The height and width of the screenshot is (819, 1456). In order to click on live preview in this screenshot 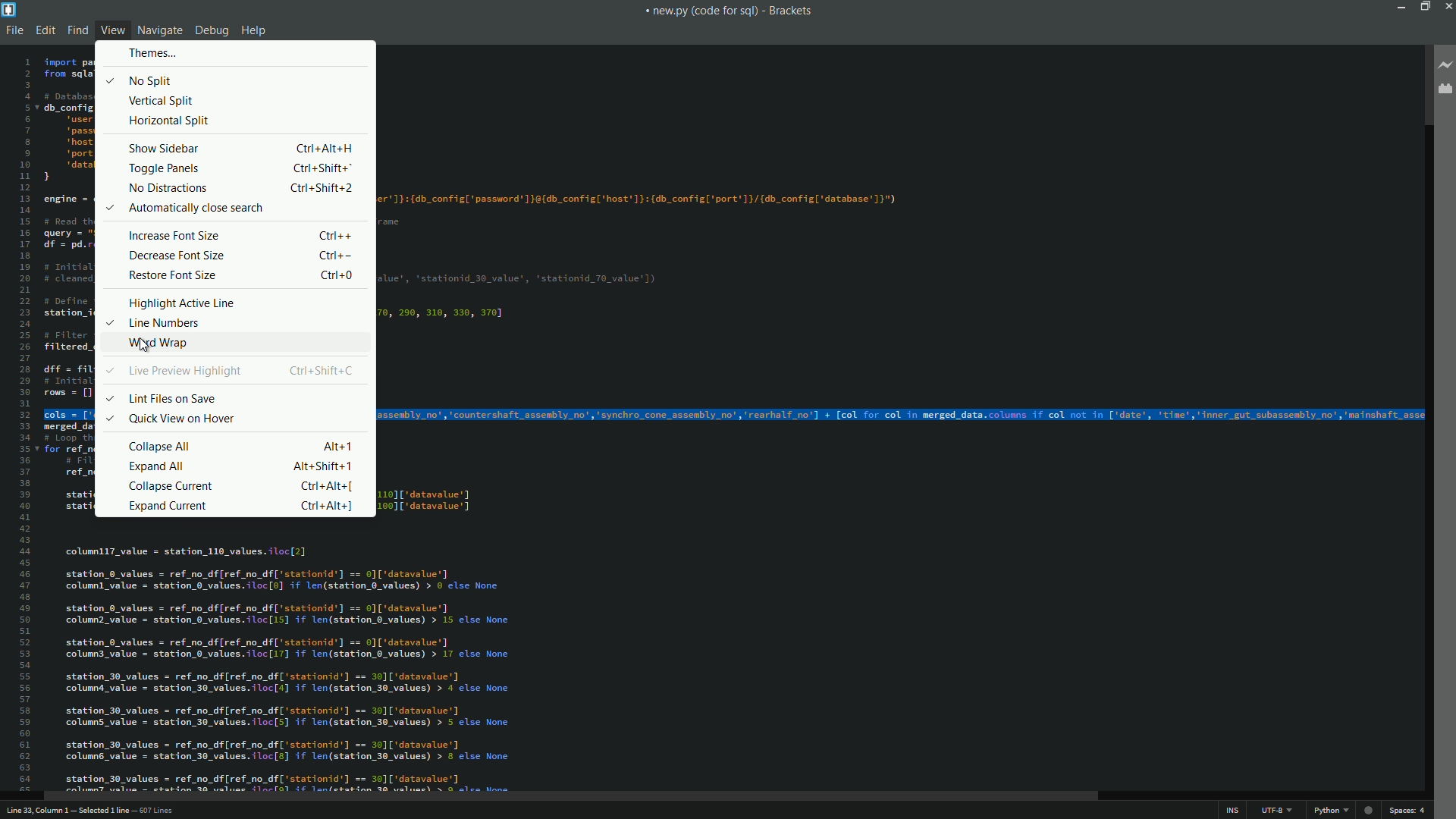, I will do `click(1447, 66)`.